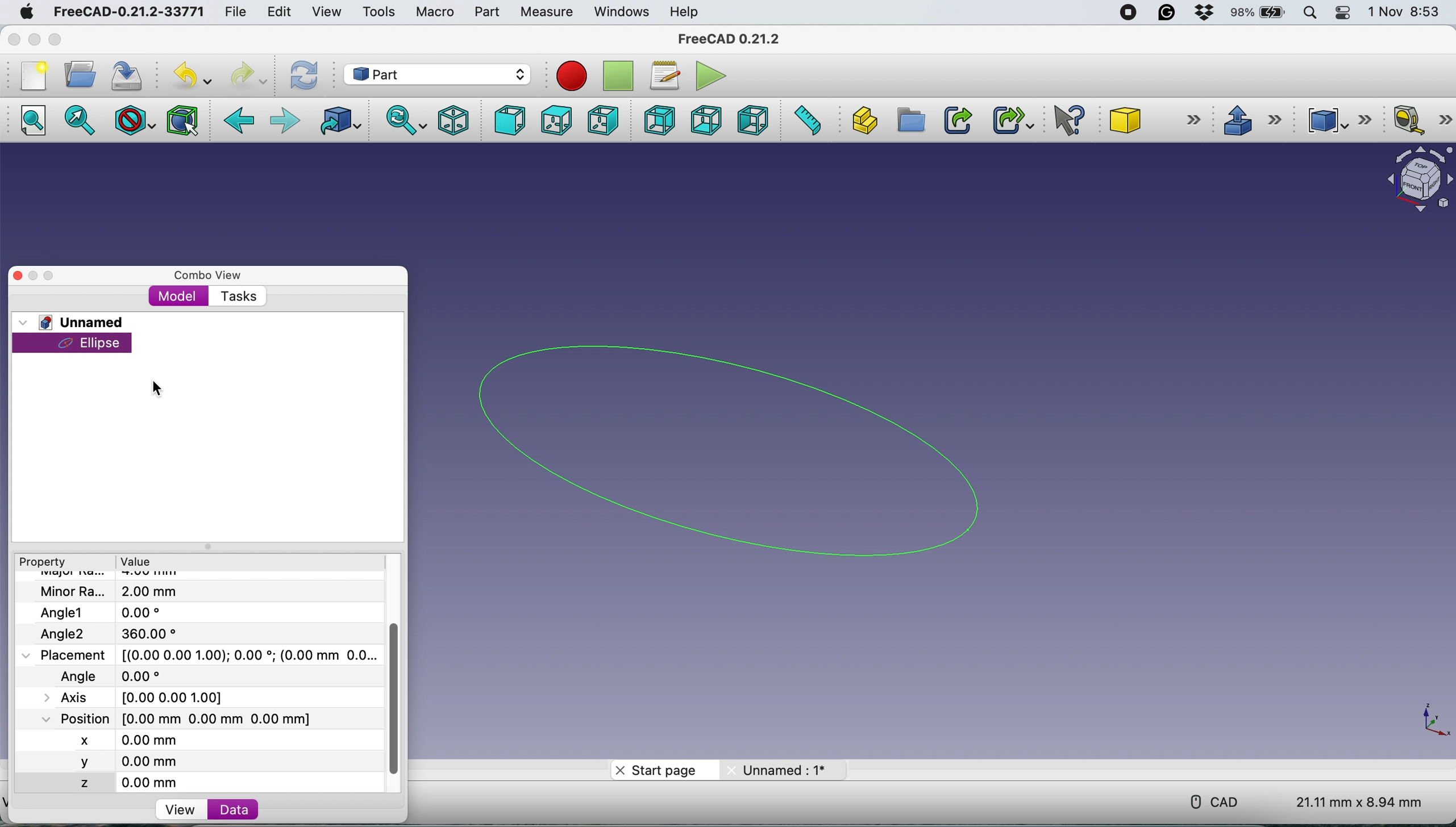 This screenshot has height=827, width=1456. Describe the element at coordinates (80, 74) in the screenshot. I see `open` at that location.